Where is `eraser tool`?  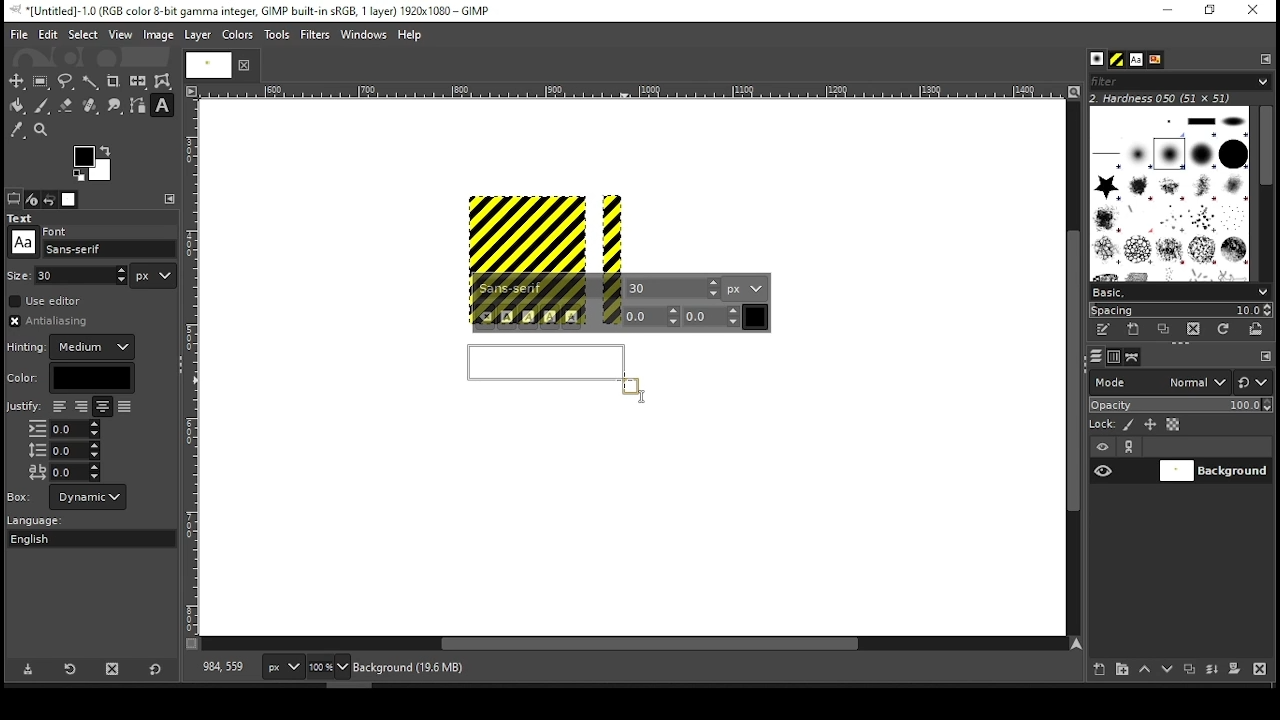
eraser tool is located at coordinates (65, 105).